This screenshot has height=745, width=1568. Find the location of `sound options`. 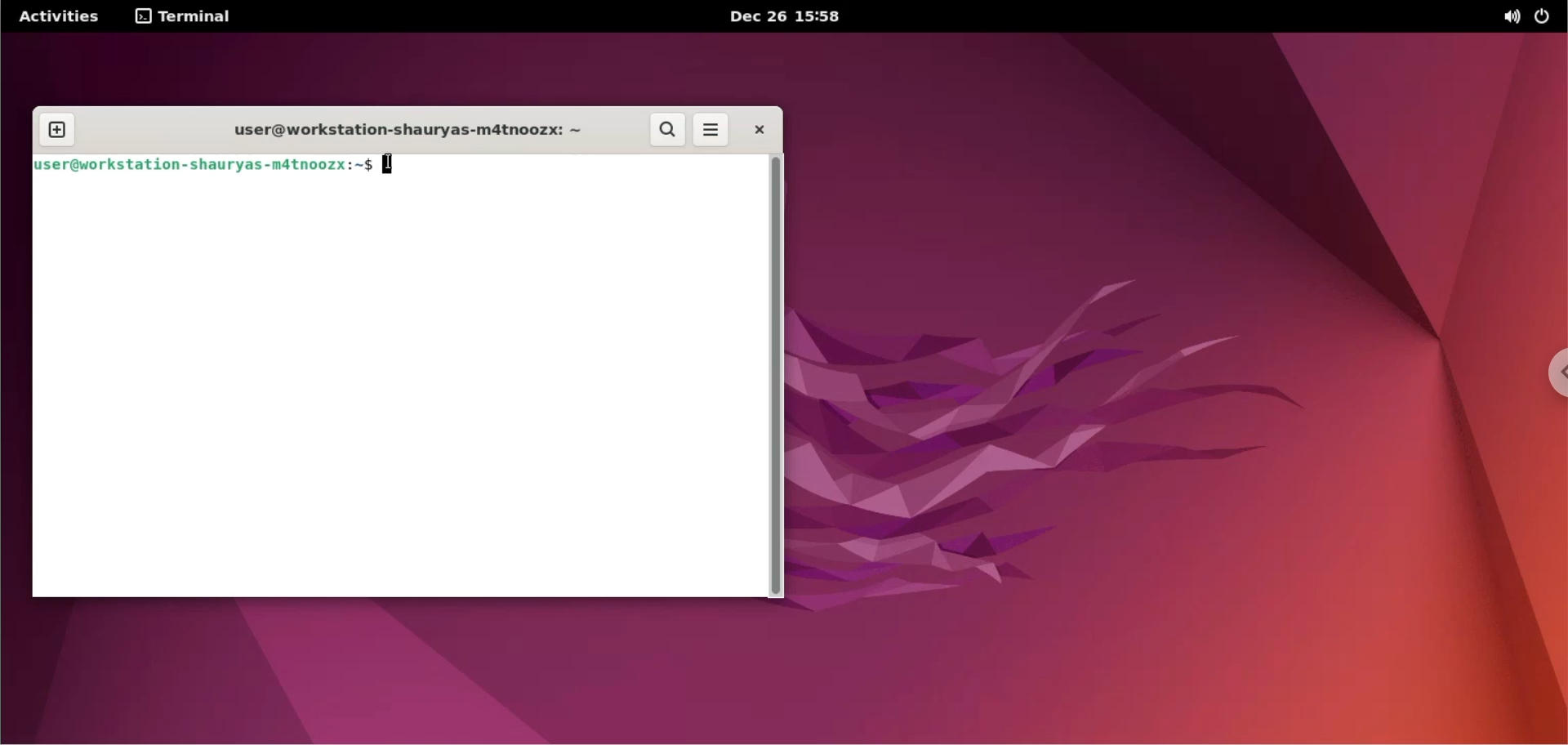

sound options is located at coordinates (1511, 17).